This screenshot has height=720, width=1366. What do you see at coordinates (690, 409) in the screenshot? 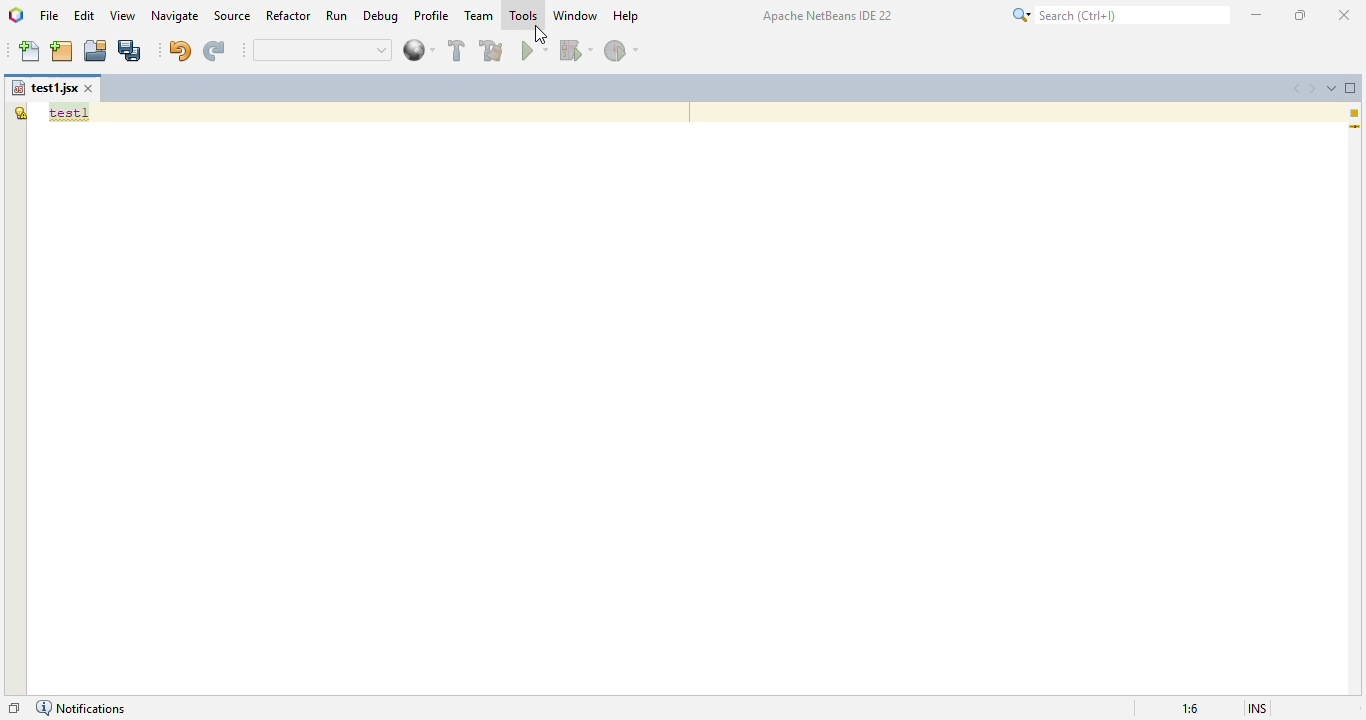
I see `editor window` at bounding box center [690, 409].